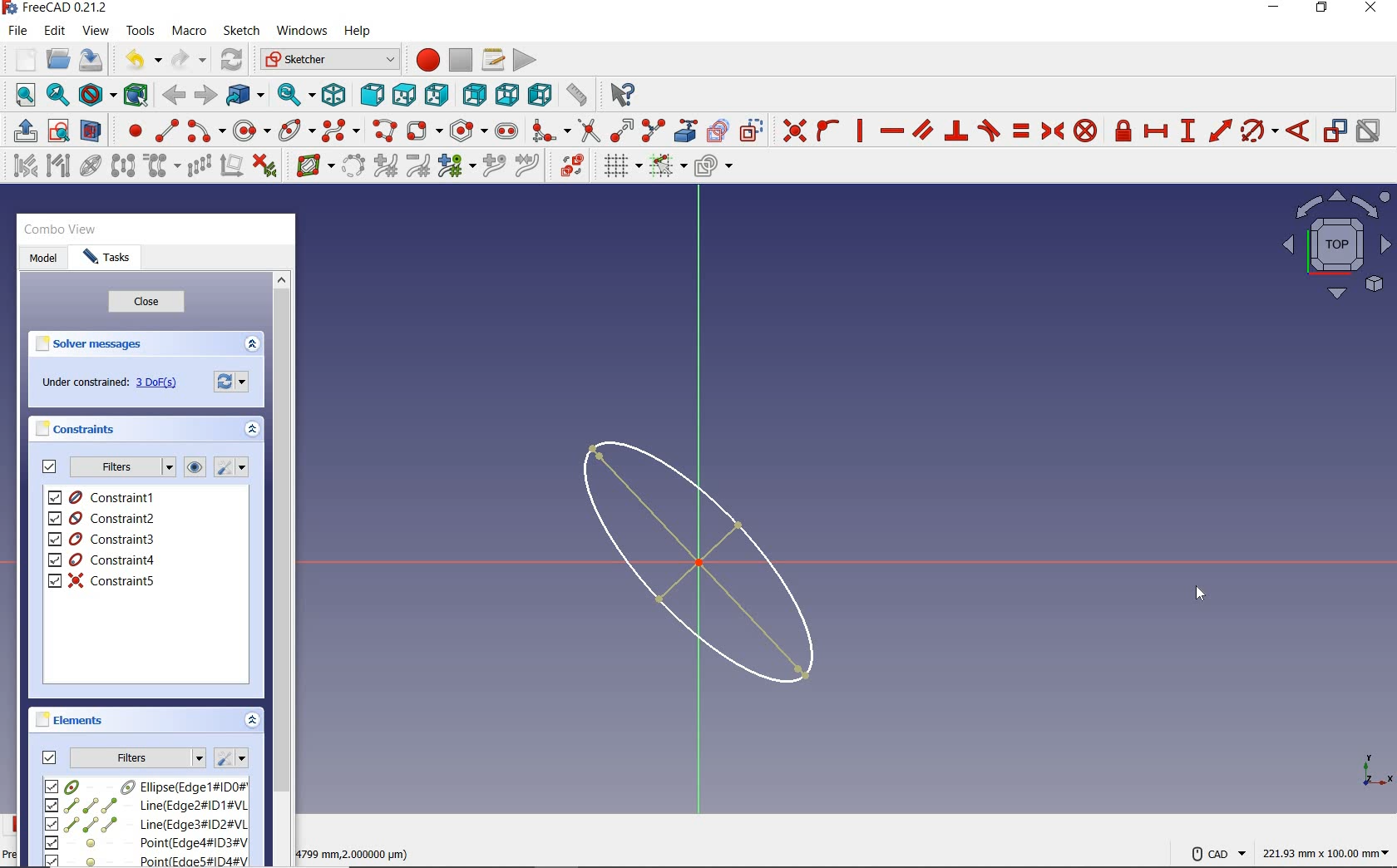  What do you see at coordinates (1200, 593) in the screenshot?
I see `cursor` at bounding box center [1200, 593].